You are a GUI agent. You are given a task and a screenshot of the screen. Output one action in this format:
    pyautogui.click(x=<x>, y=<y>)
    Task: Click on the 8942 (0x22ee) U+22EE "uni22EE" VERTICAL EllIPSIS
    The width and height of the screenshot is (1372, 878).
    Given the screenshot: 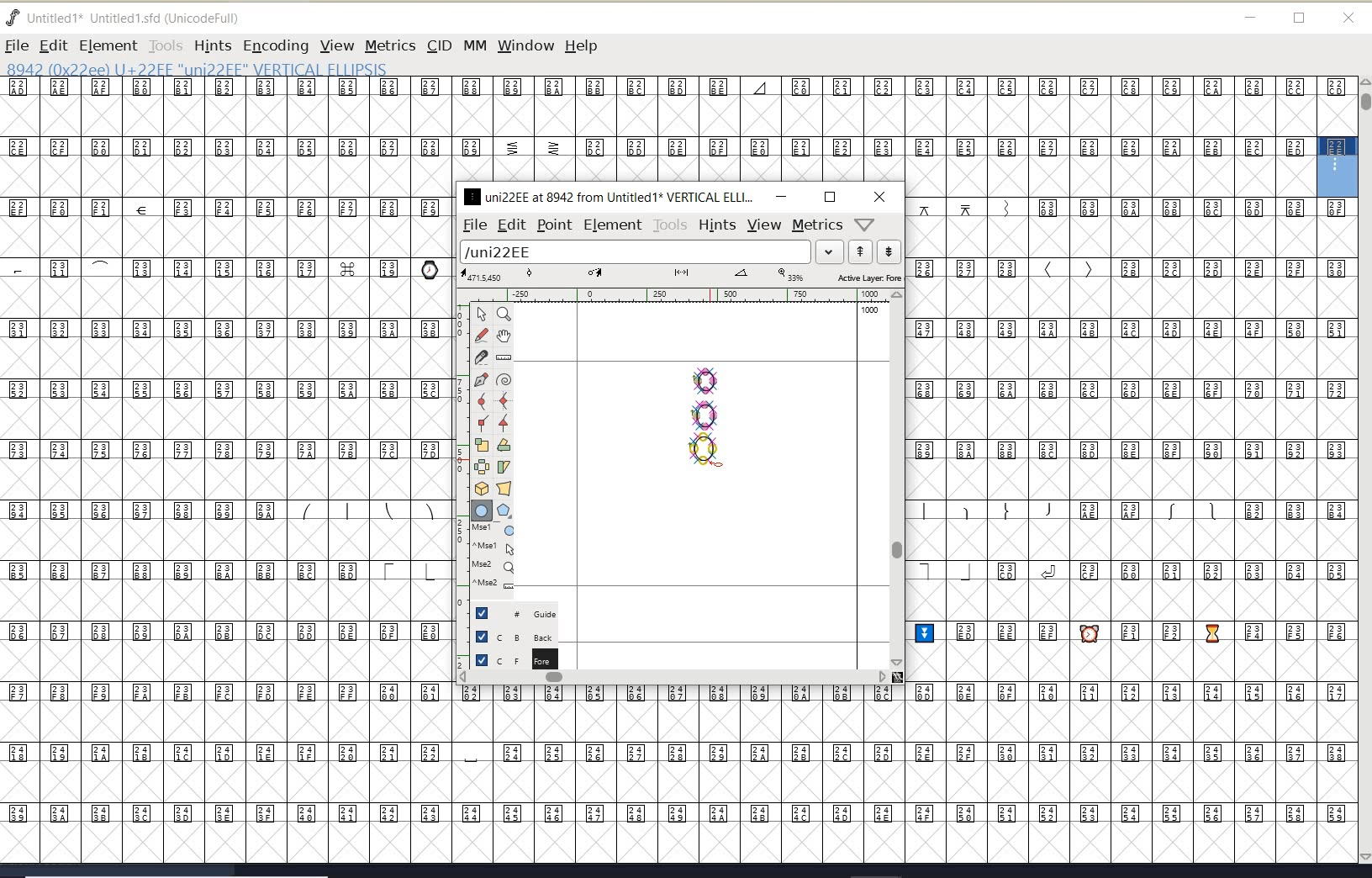 What is the action you would take?
    pyautogui.click(x=195, y=68)
    